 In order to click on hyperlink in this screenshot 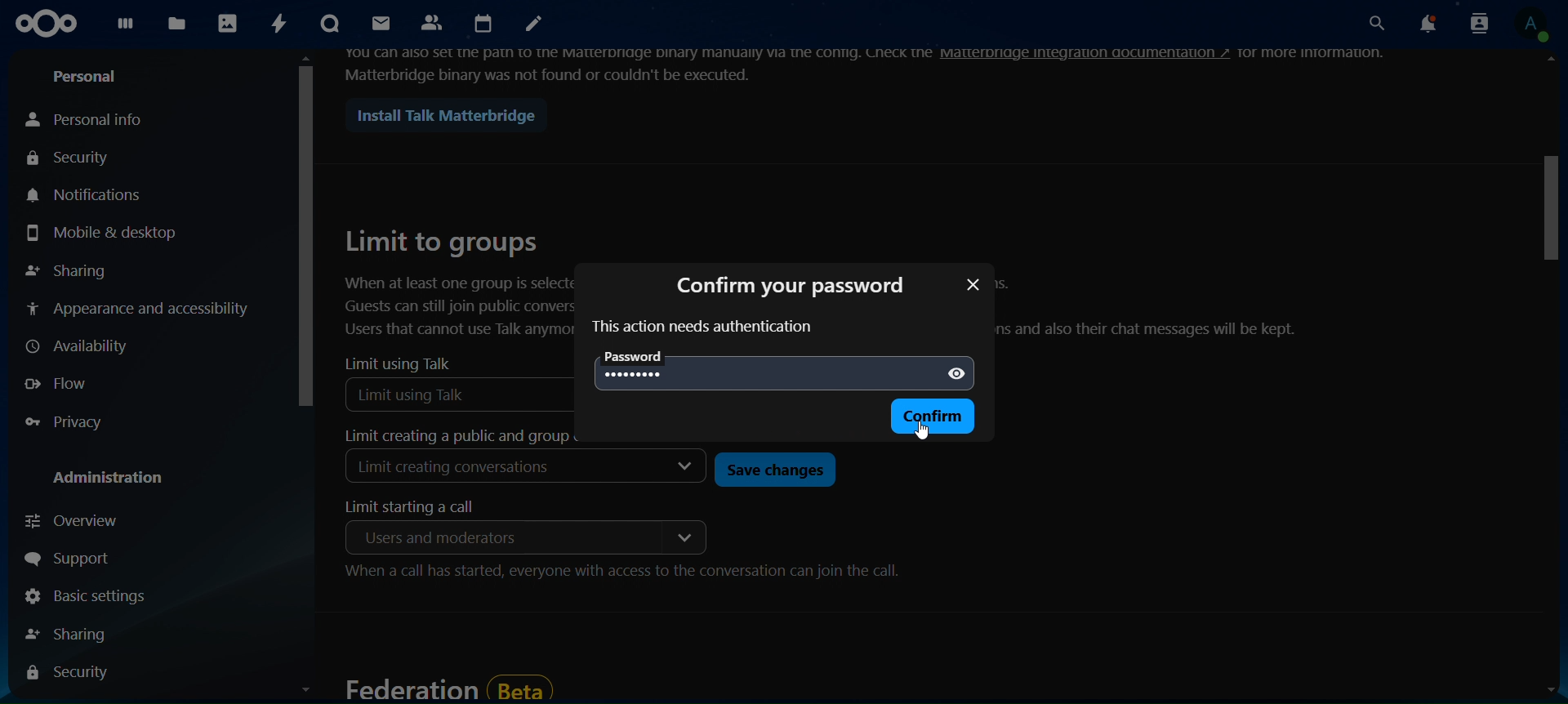, I will do `click(1086, 53)`.